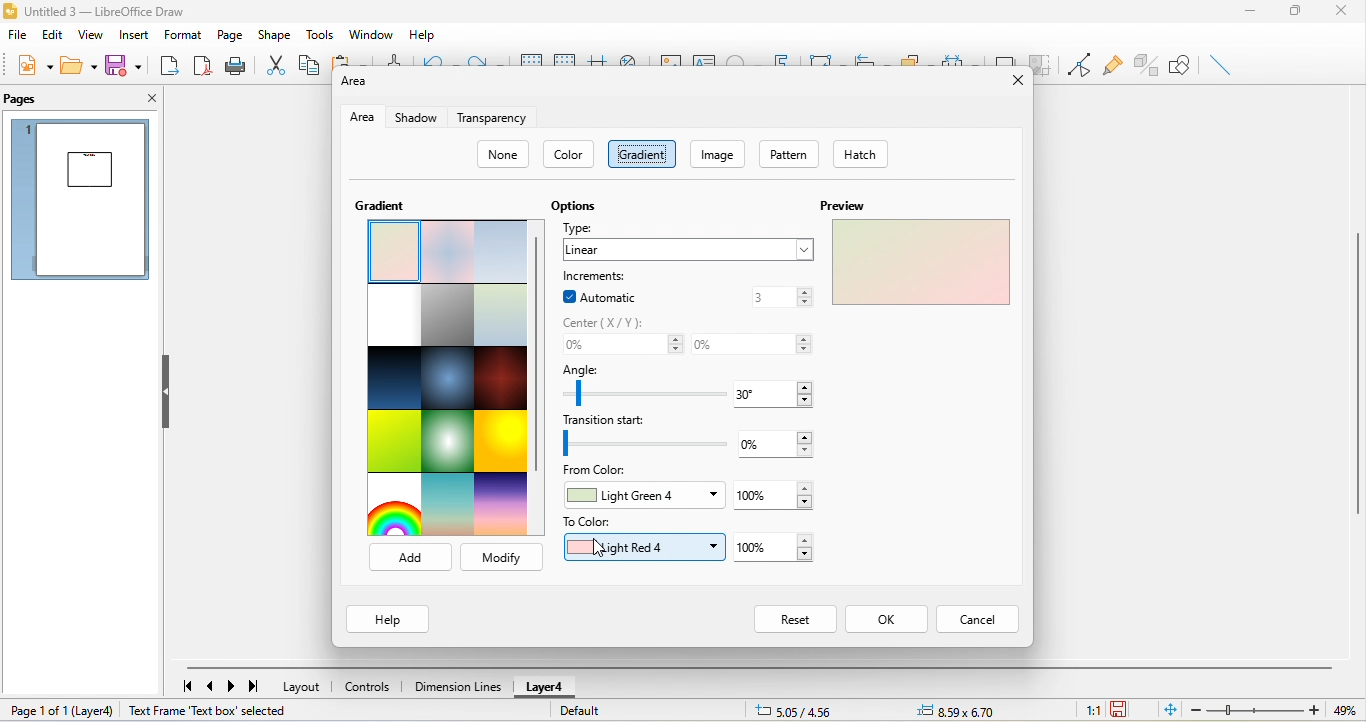 The height and width of the screenshot is (722, 1366). Describe the element at coordinates (449, 505) in the screenshot. I see `sunrise` at that location.